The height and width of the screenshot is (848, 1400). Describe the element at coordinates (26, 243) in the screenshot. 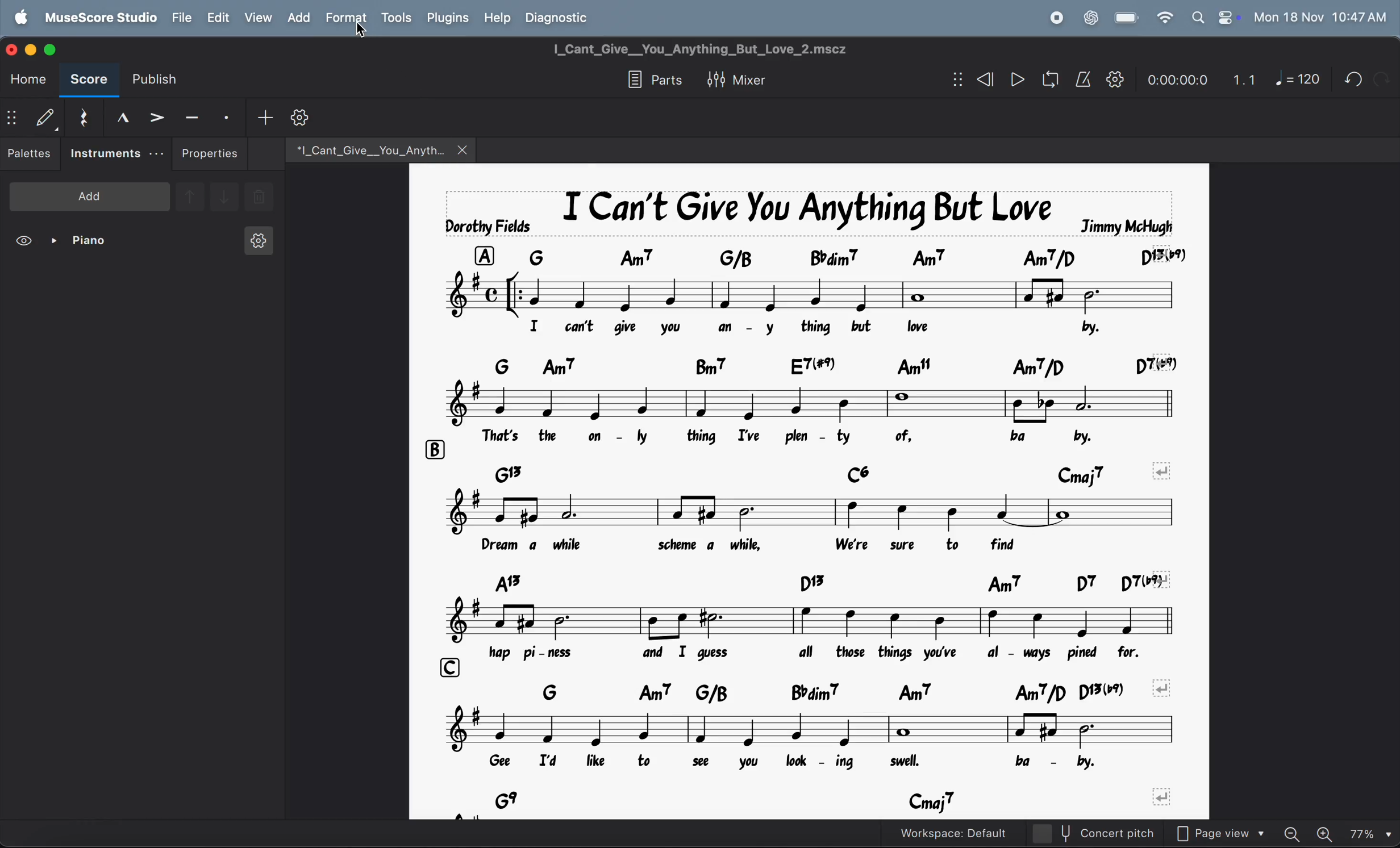

I see `view` at that location.